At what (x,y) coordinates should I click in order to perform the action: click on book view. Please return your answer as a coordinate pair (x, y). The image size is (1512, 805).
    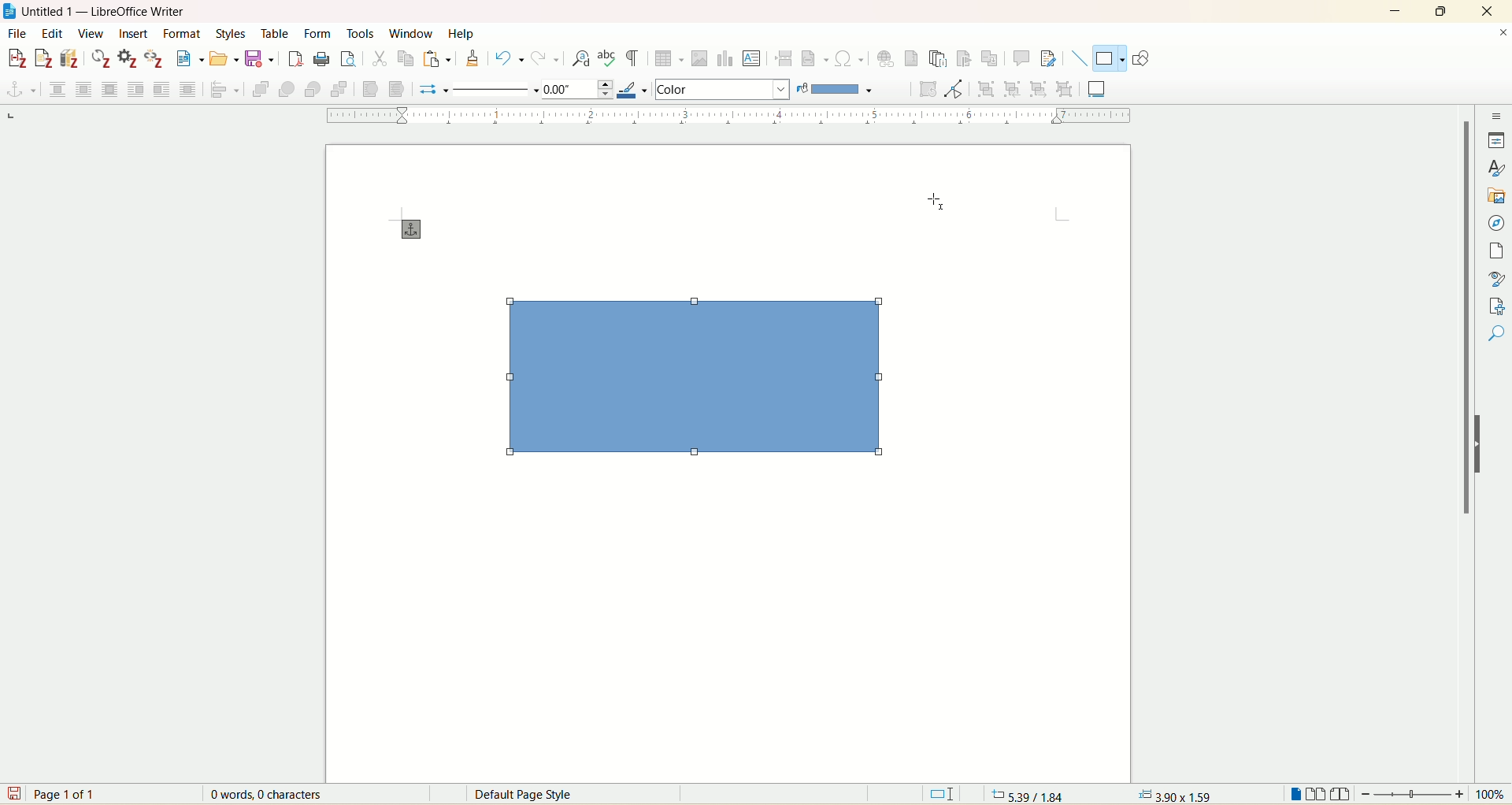
    Looking at the image, I should click on (1340, 794).